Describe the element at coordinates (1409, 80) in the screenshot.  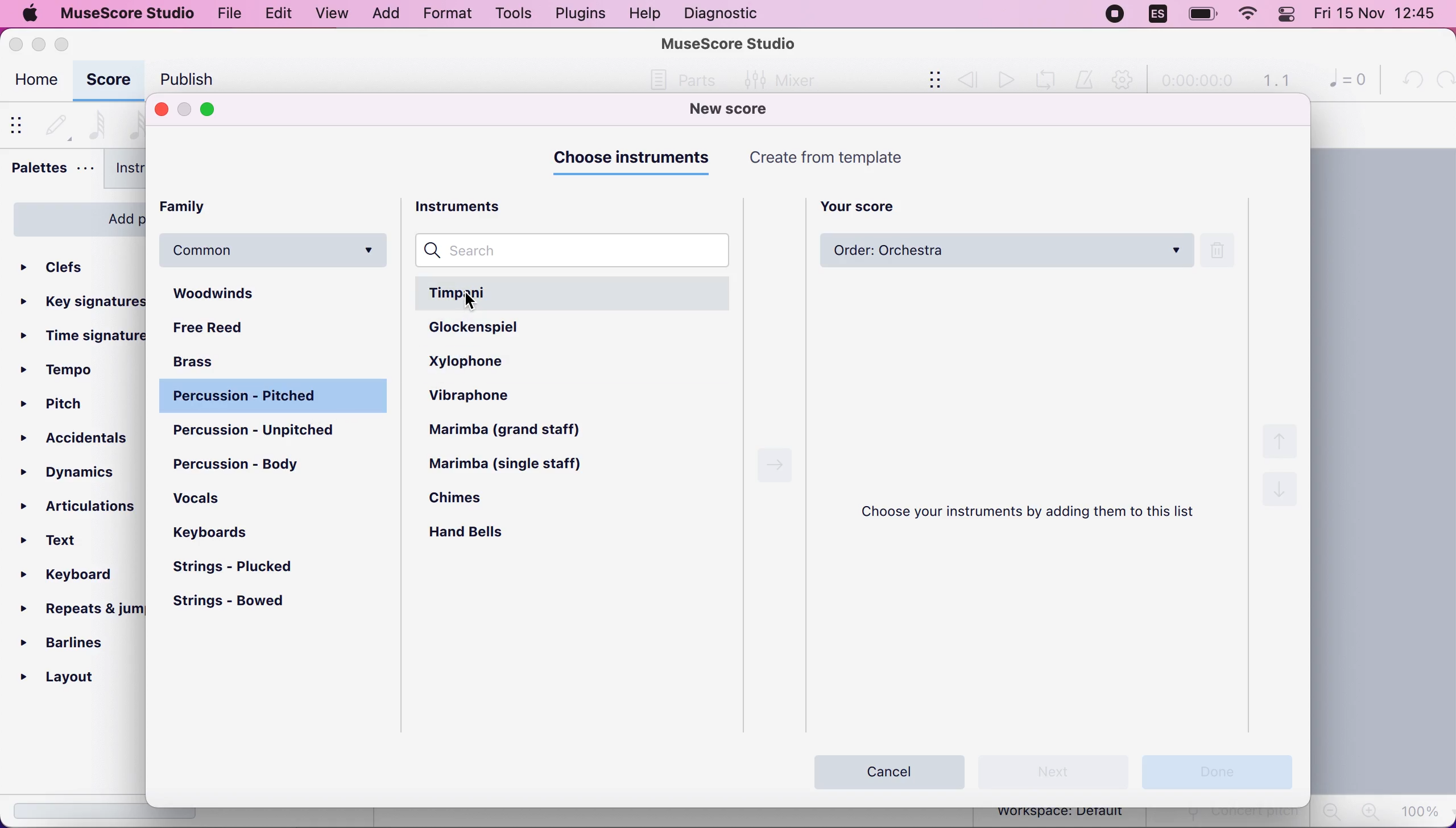
I see `undo` at that location.